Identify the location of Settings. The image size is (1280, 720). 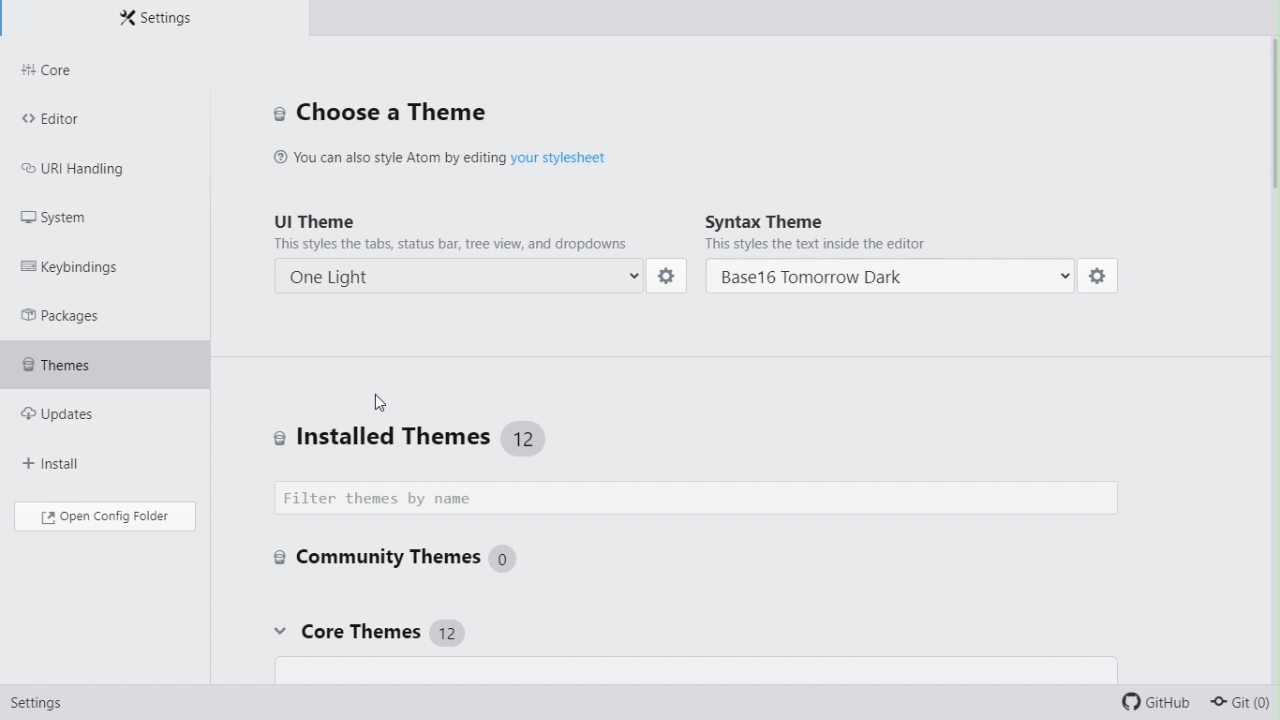
(157, 21).